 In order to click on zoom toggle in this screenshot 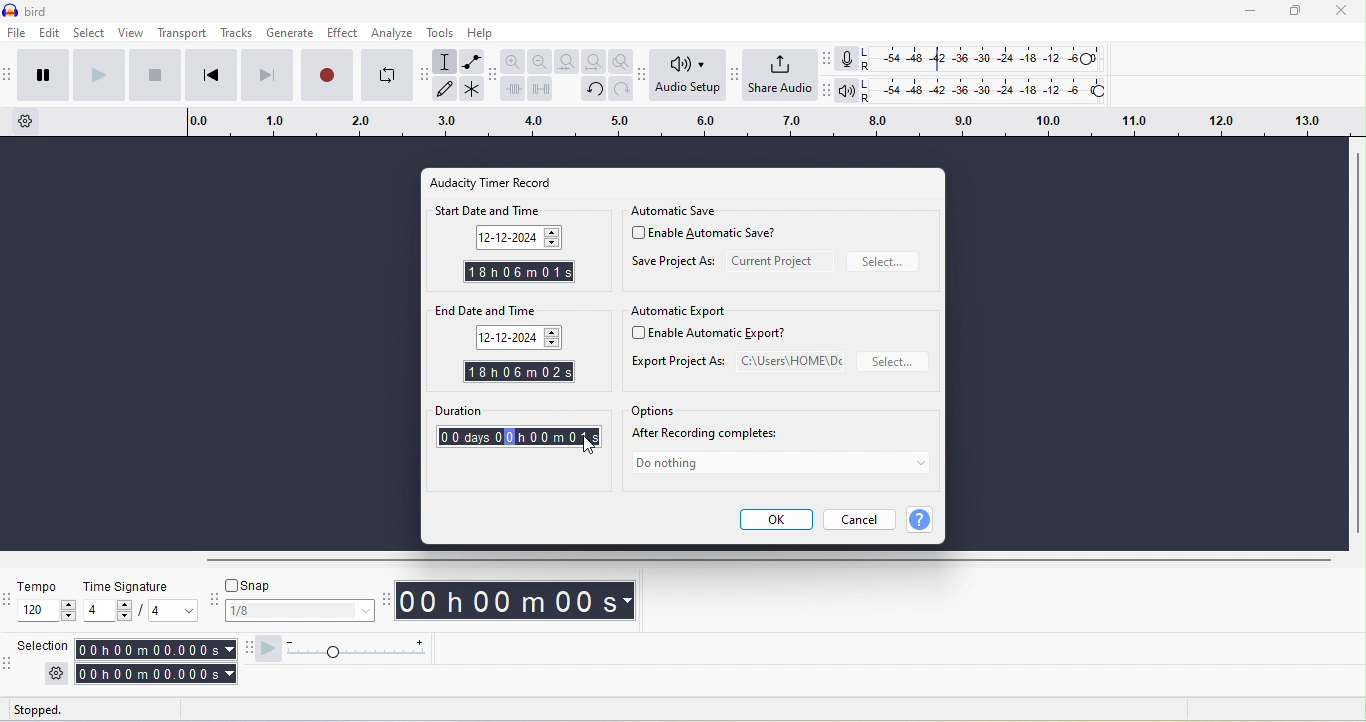, I will do `click(623, 61)`.